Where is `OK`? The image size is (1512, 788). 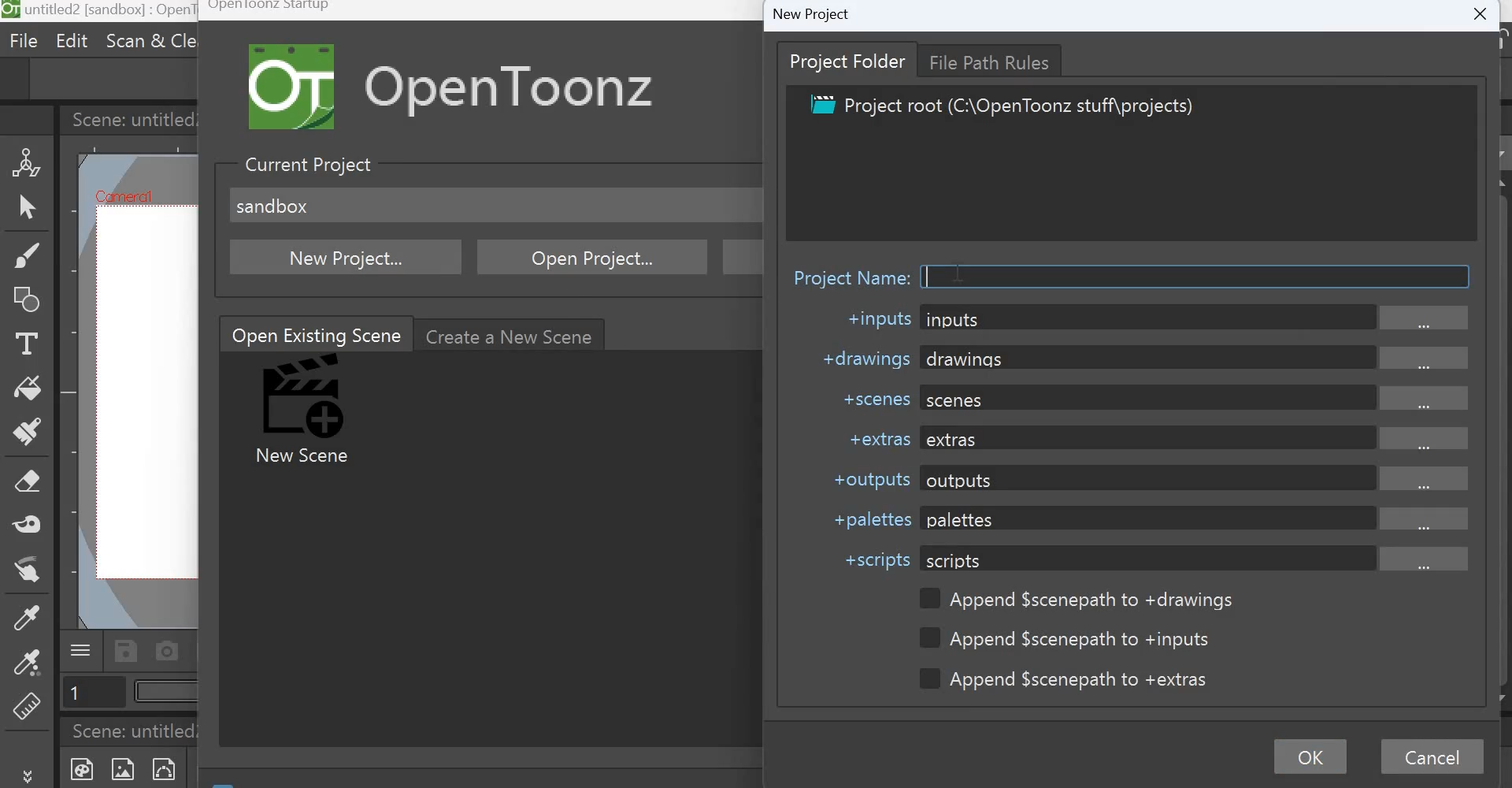 OK is located at coordinates (1308, 756).